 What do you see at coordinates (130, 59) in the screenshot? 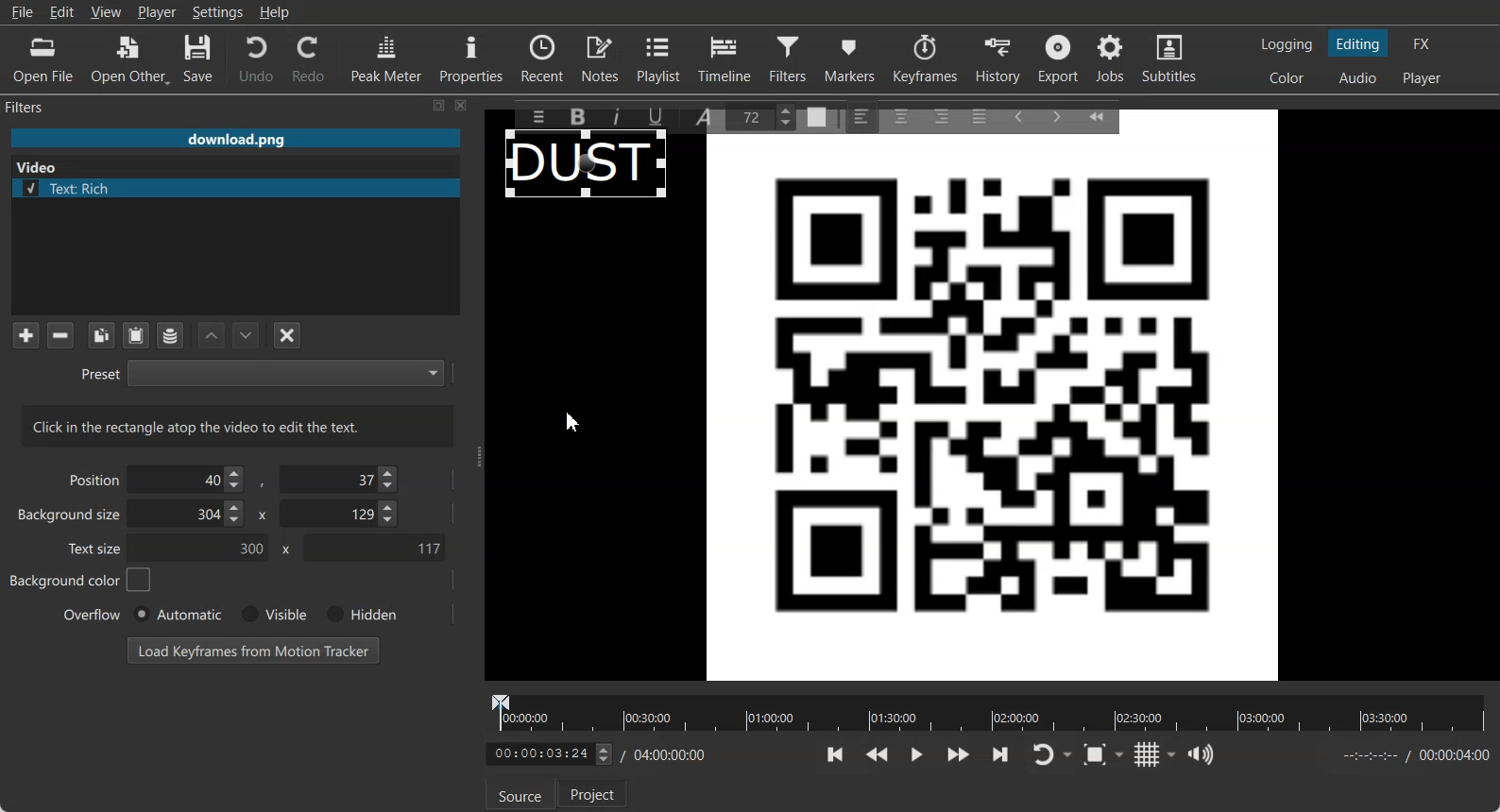
I see `Open Other` at bounding box center [130, 59].